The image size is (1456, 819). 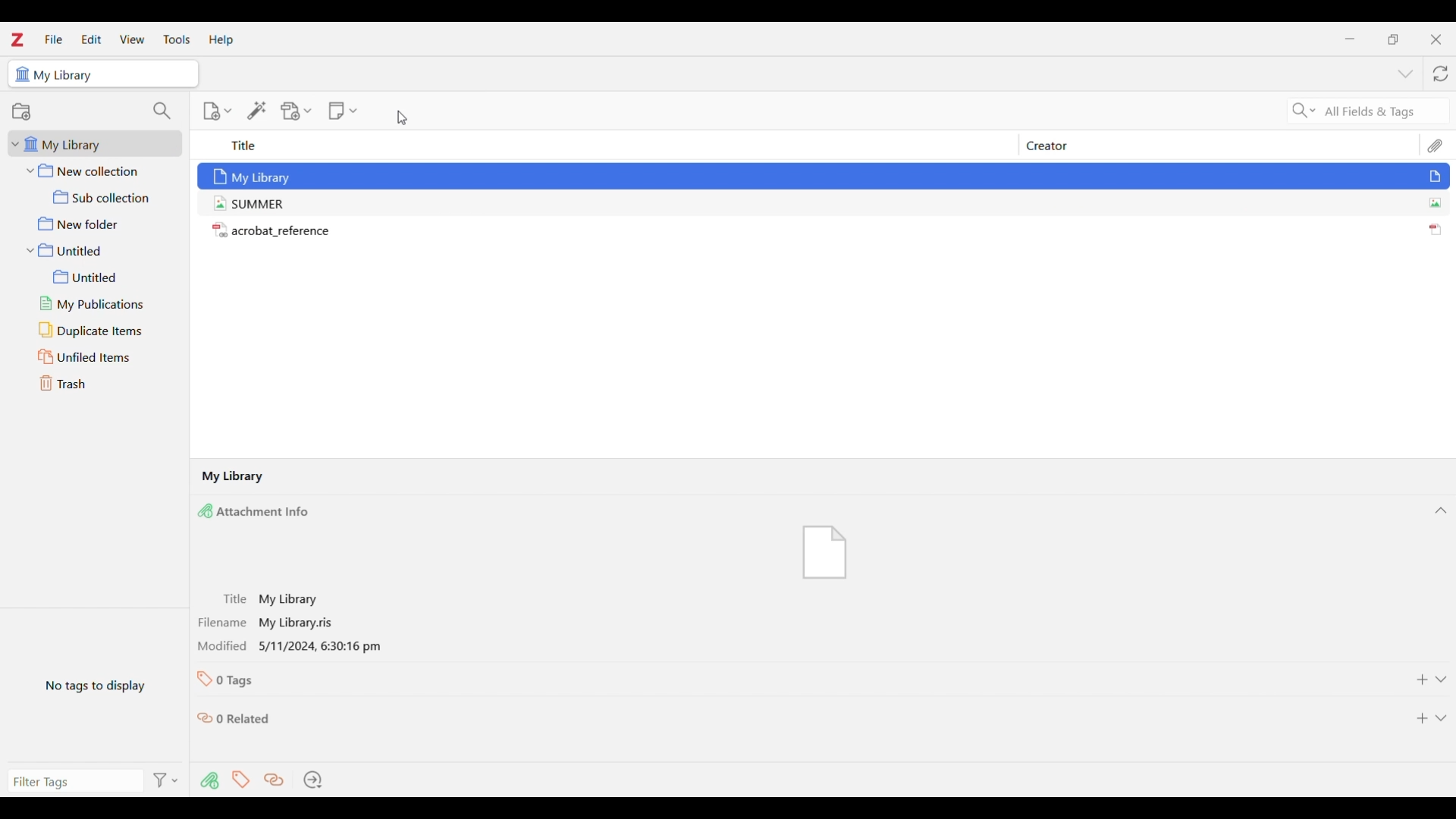 What do you see at coordinates (1440, 74) in the screenshot?
I see `Sync with zotero.org` at bounding box center [1440, 74].